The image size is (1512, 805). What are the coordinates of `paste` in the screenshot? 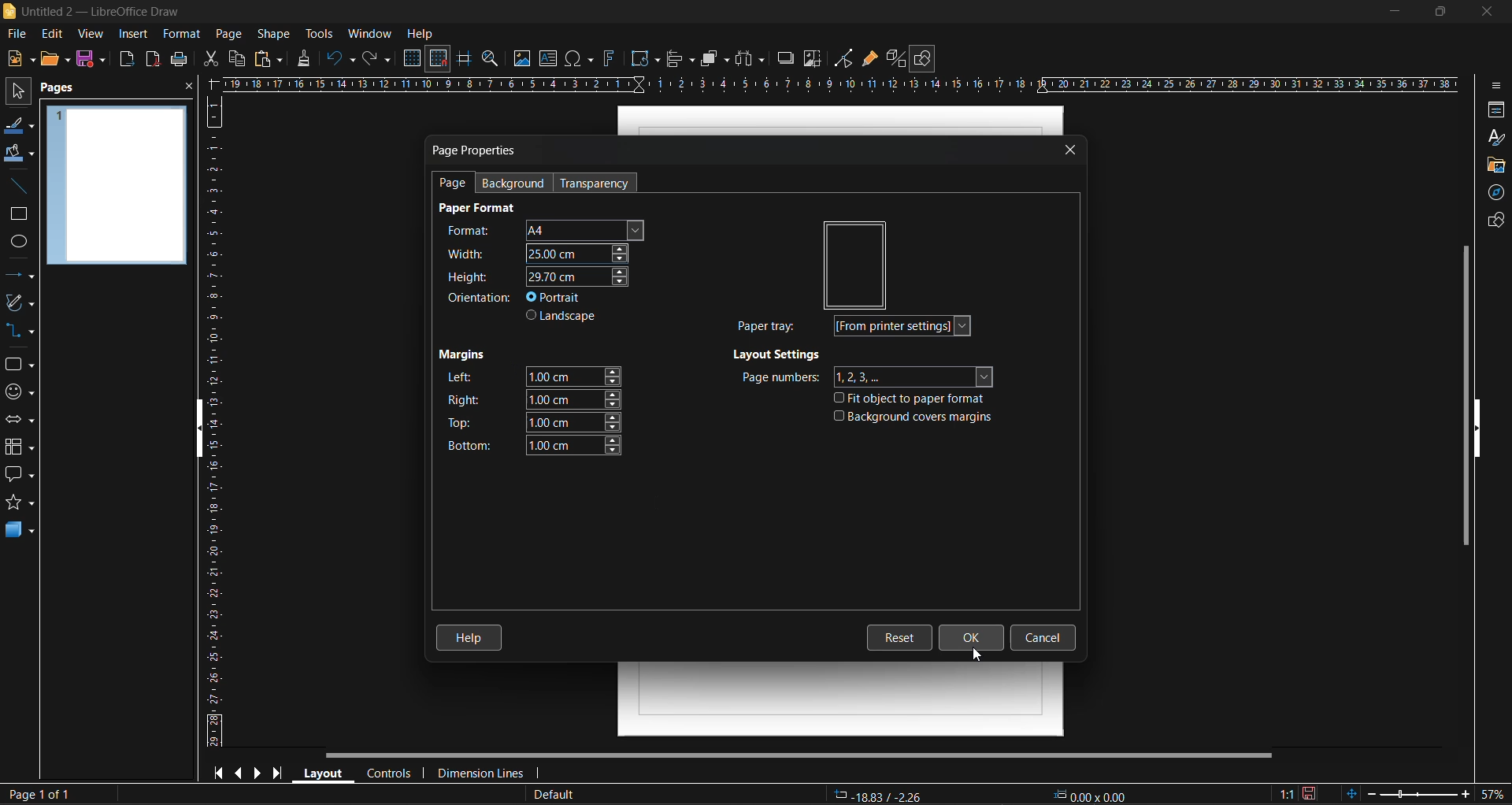 It's located at (267, 60).